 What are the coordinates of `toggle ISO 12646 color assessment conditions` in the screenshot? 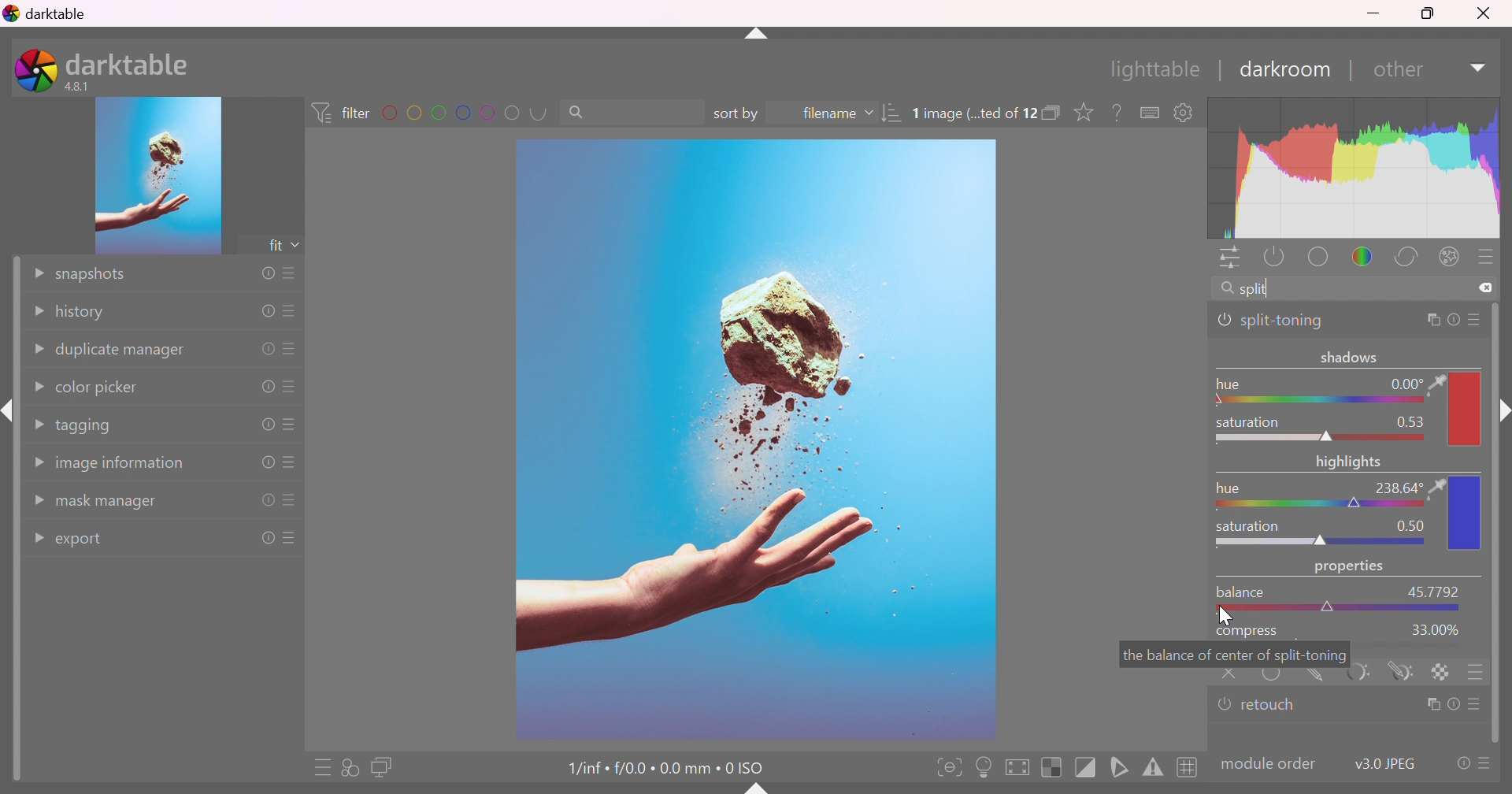 It's located at (985, 766).